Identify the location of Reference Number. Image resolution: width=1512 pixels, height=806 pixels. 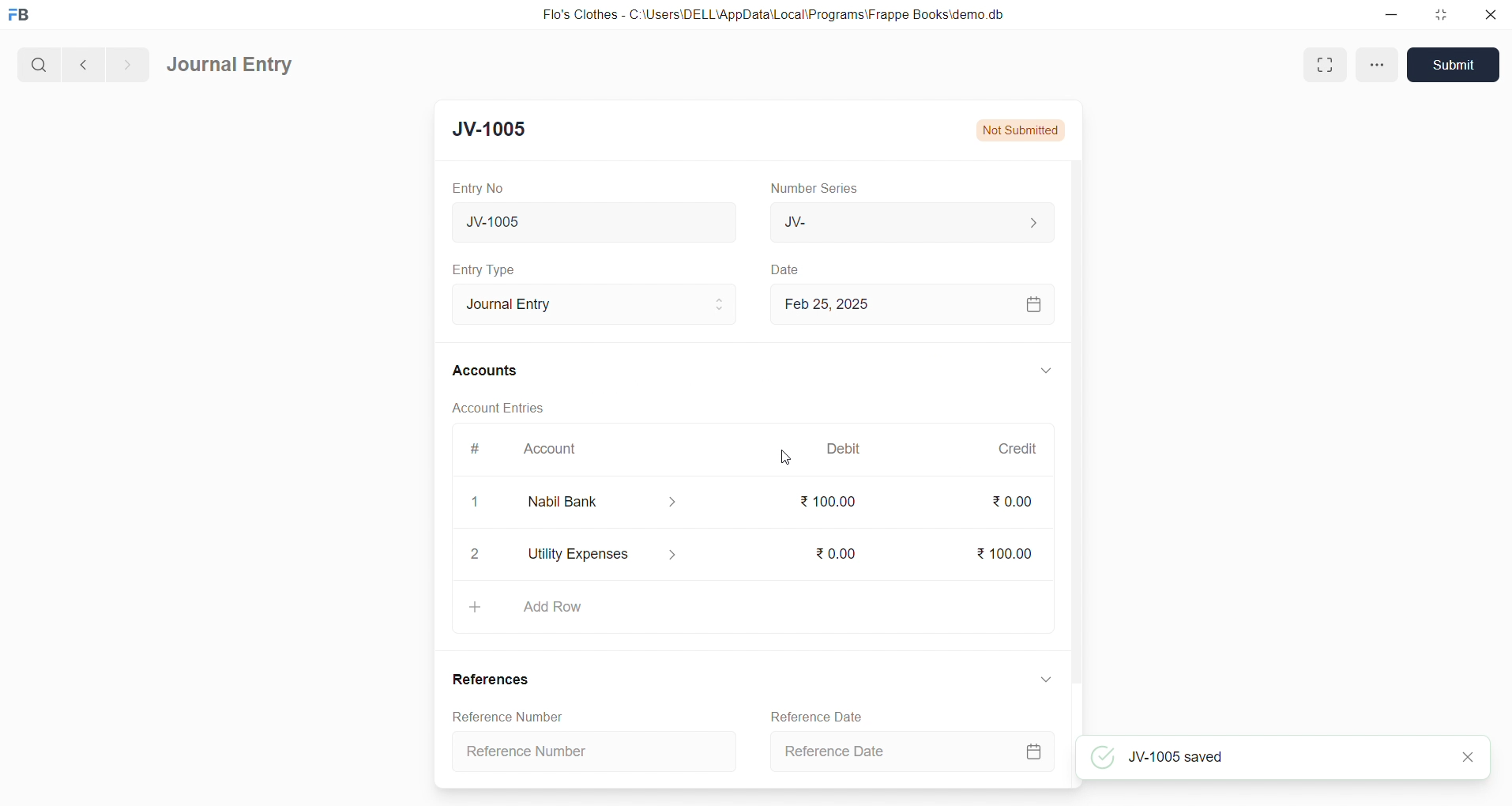
(502, 716).